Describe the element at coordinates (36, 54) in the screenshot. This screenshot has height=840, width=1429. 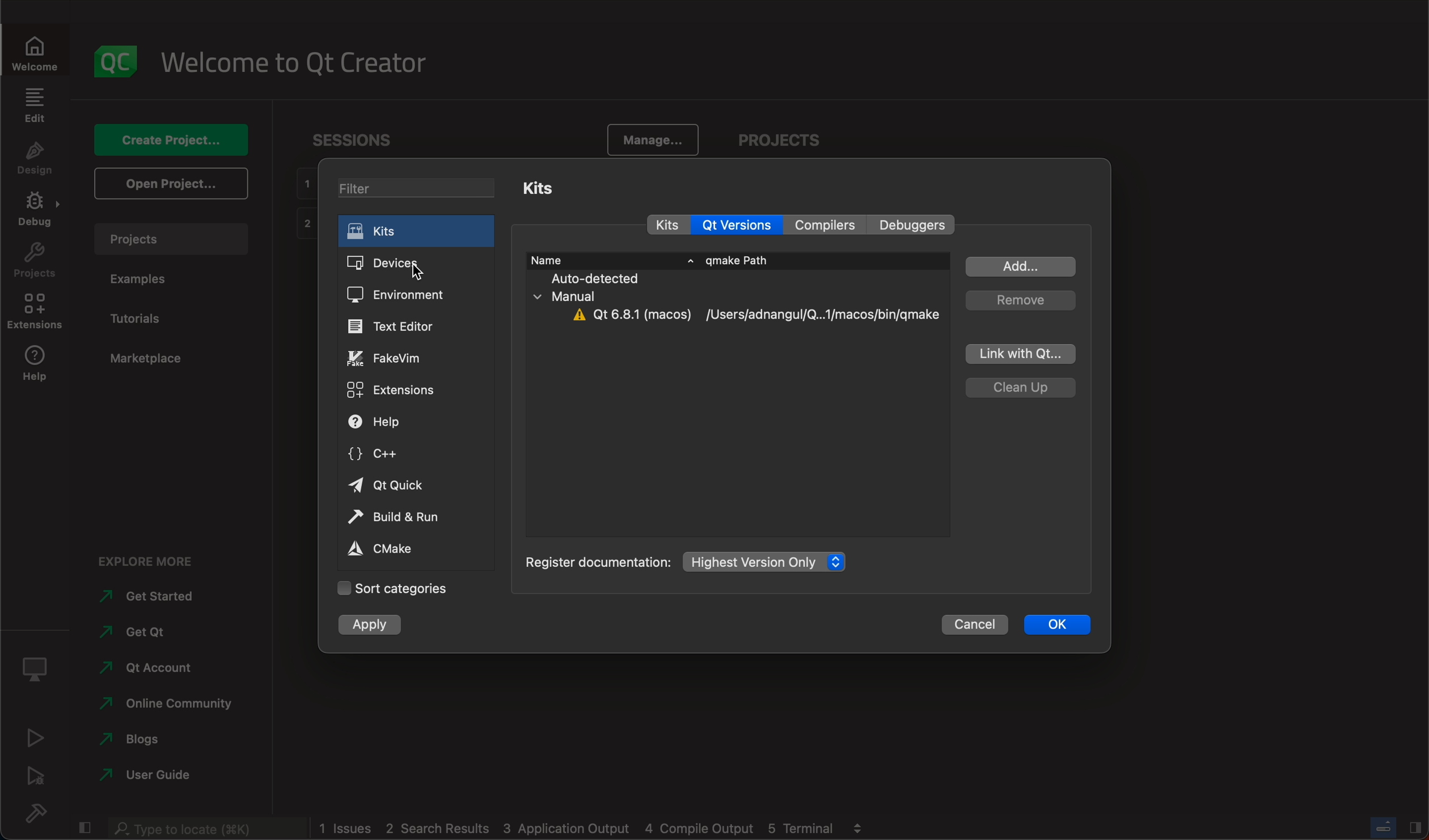
I see `welcome` at that location.